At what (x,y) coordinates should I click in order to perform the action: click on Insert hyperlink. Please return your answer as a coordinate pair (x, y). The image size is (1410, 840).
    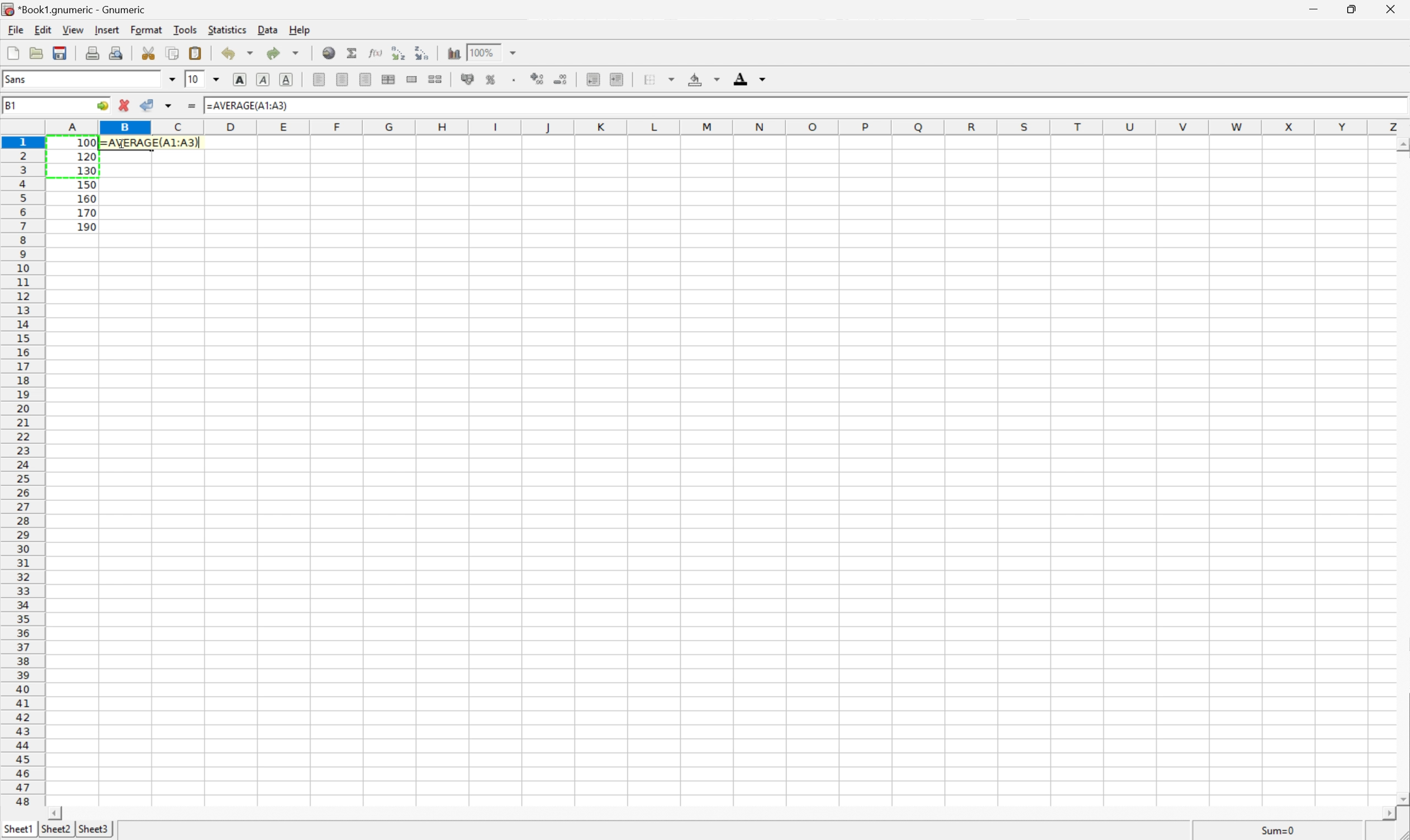
    Looking at the image, I should click on (327, 53).